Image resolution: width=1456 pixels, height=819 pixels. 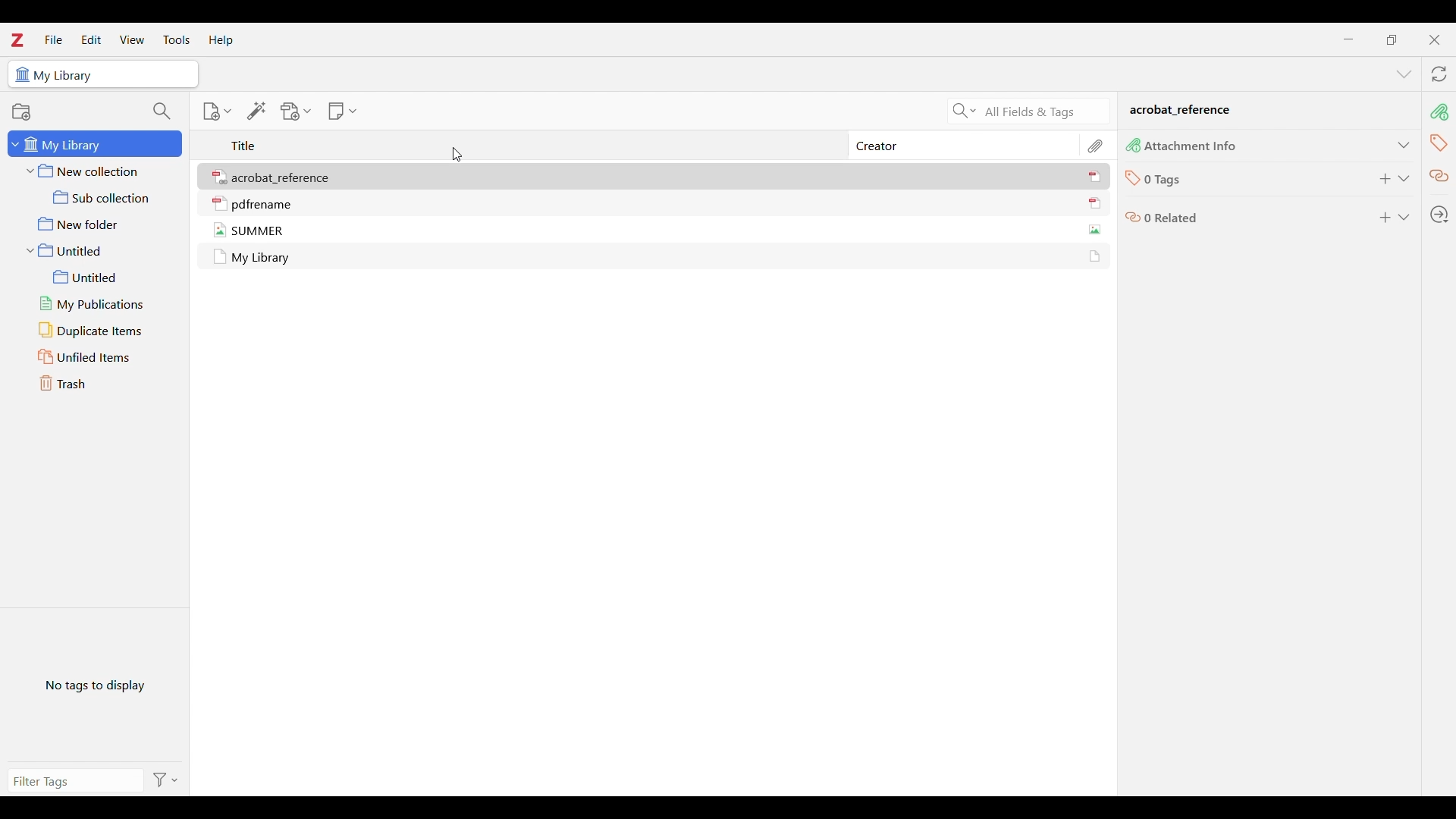 I want to click on icon, so click(x=21, y=75).